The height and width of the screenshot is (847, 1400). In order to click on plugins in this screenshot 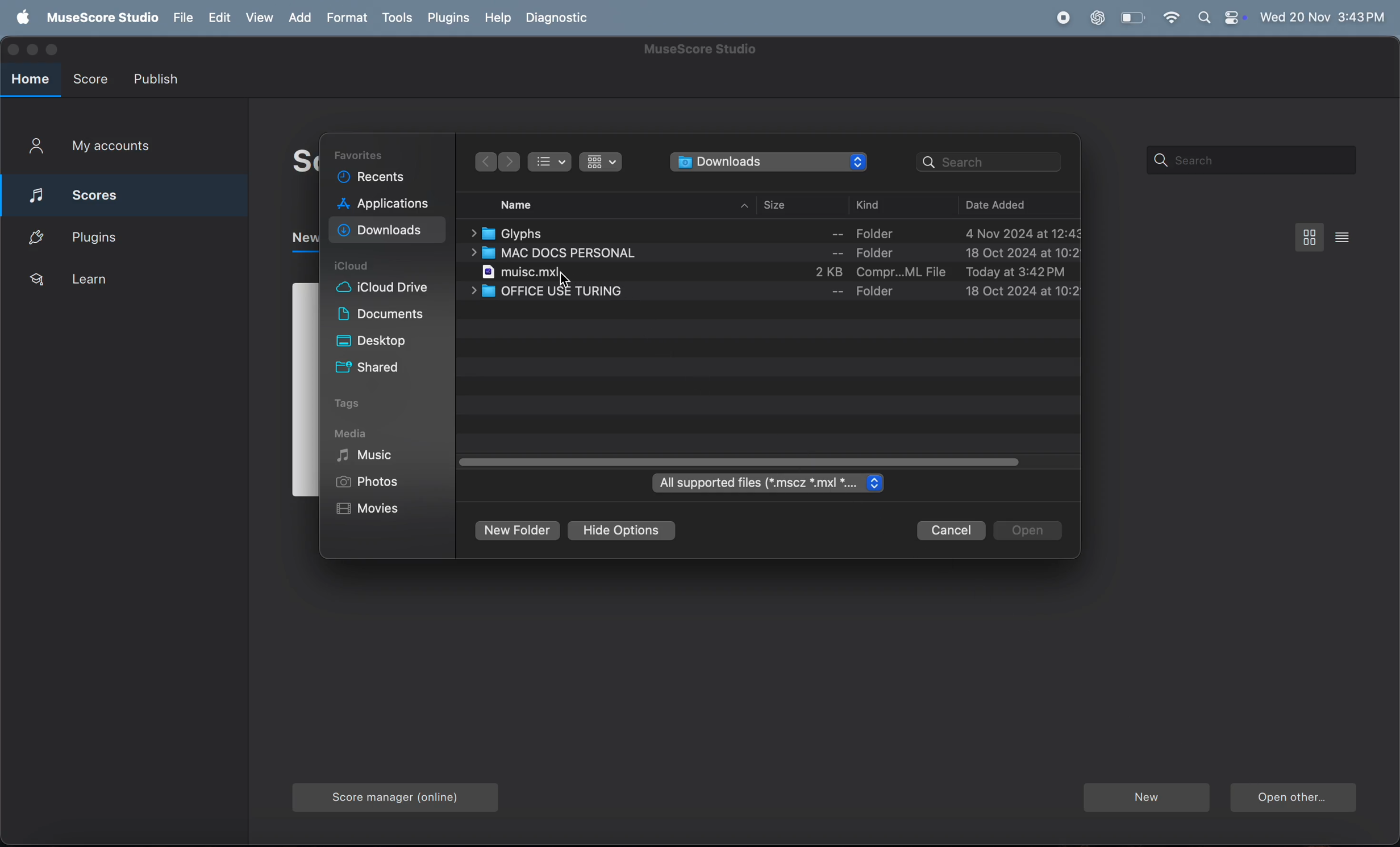, I will do `click(450, 19)`.